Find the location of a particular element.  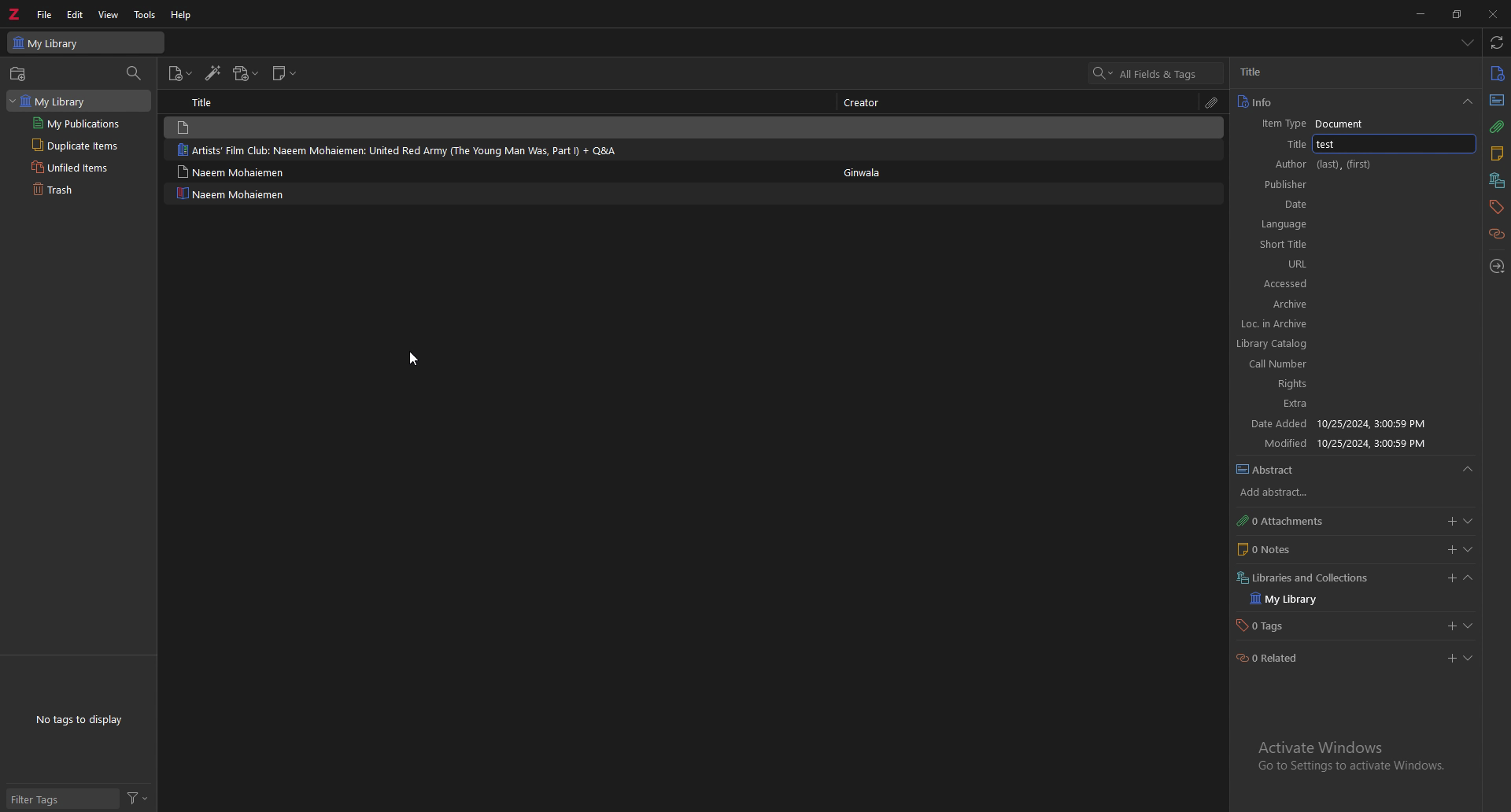

expand section is located at coordinates (1473, 661).